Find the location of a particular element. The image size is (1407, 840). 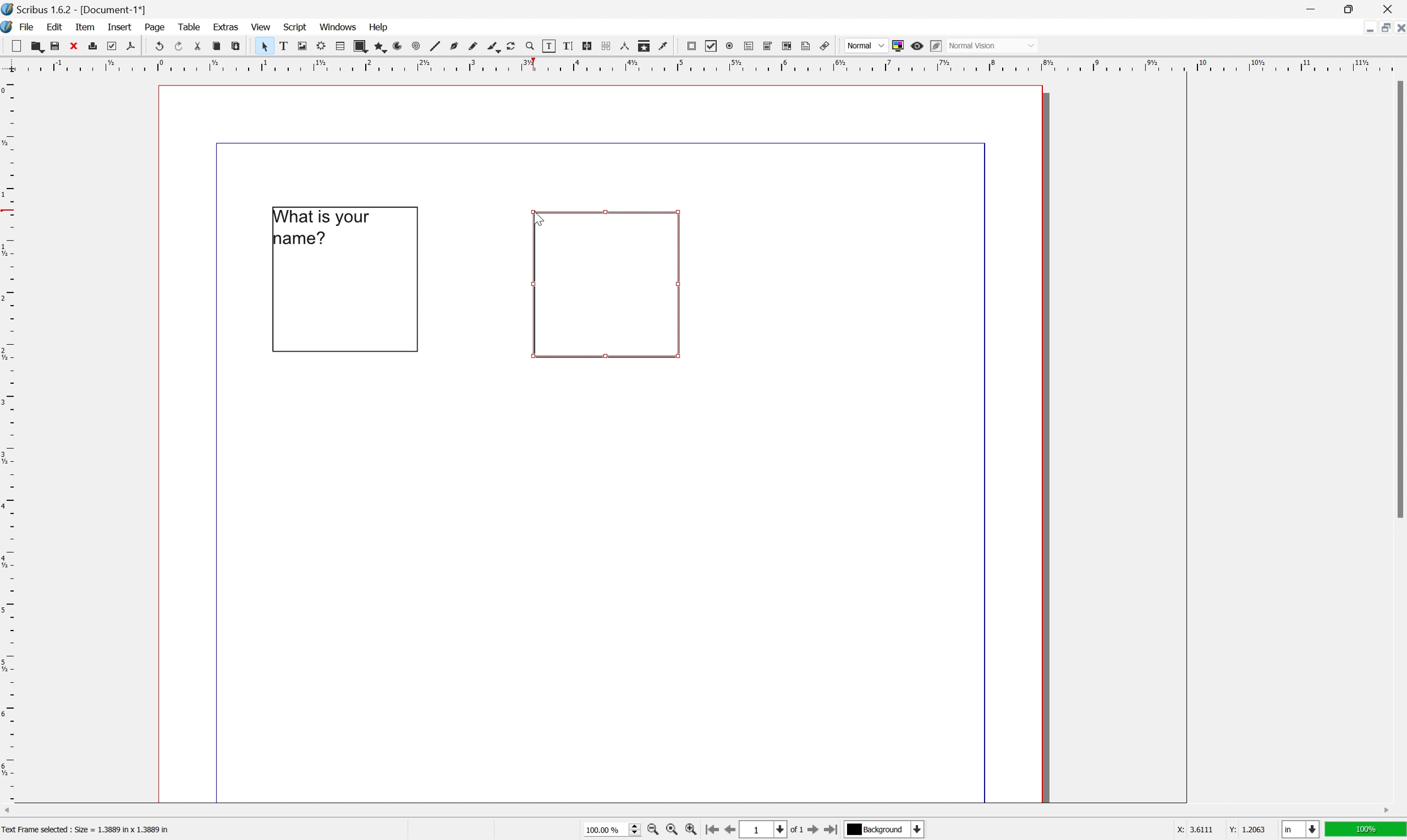

cursor is located at coordinates (540, 221).